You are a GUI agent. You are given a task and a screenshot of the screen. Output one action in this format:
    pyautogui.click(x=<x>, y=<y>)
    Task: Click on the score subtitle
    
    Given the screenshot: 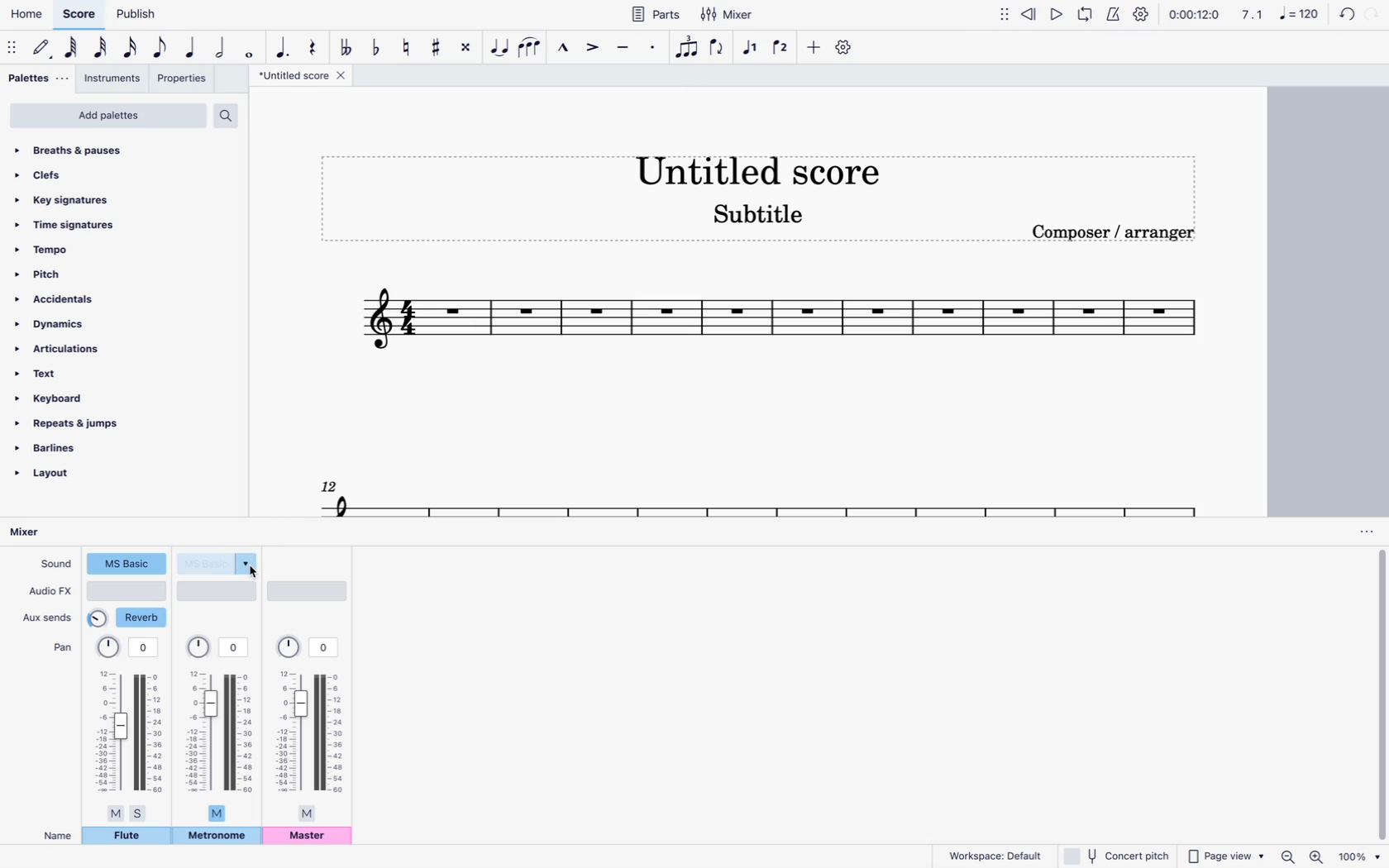 What is the action you would take?
    pyautogui.click(x=767, y=214)
    